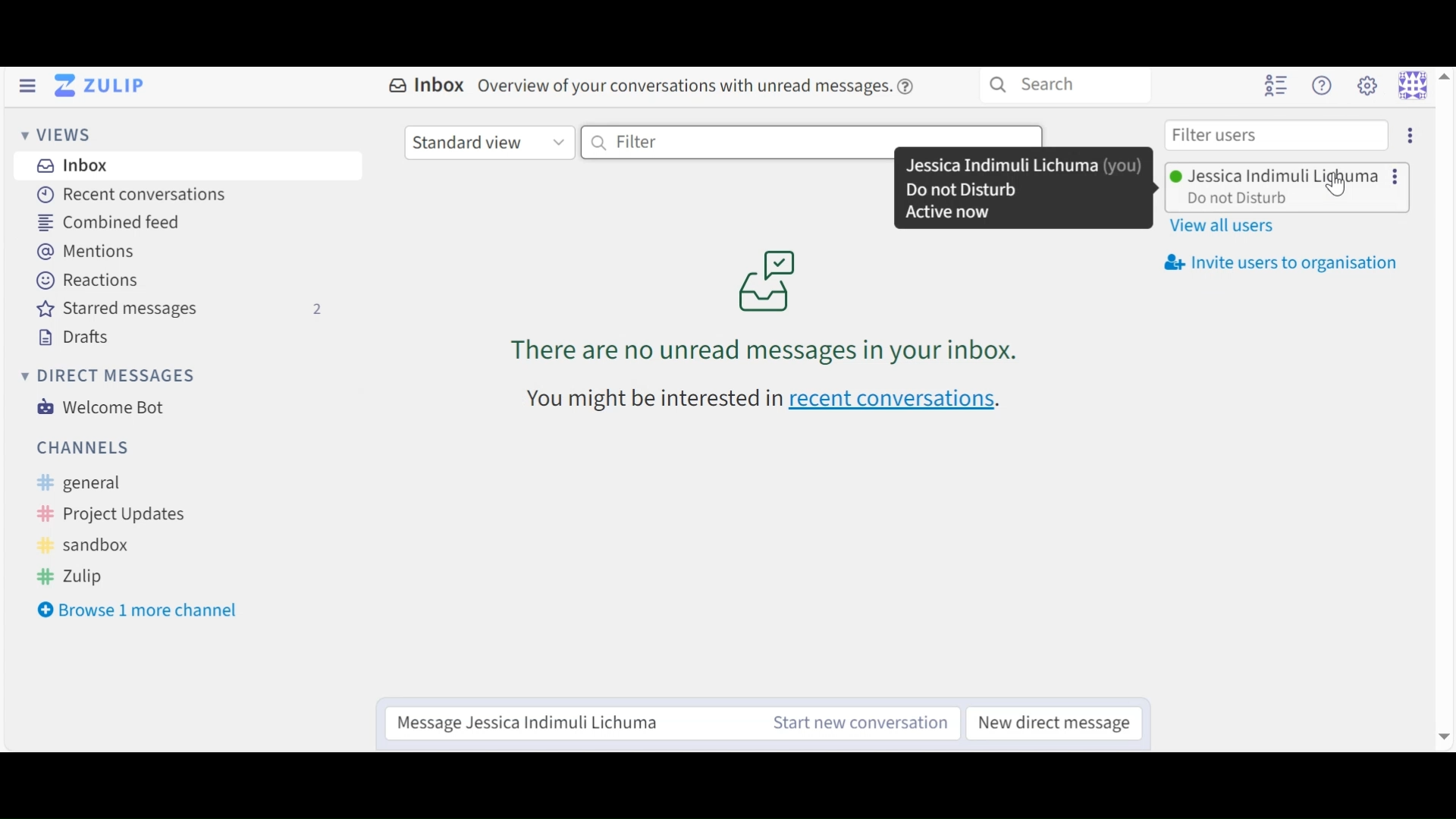 The width and height of the screenshot is (1456, 819). I want to click on Filter by text, so click(811, 140).